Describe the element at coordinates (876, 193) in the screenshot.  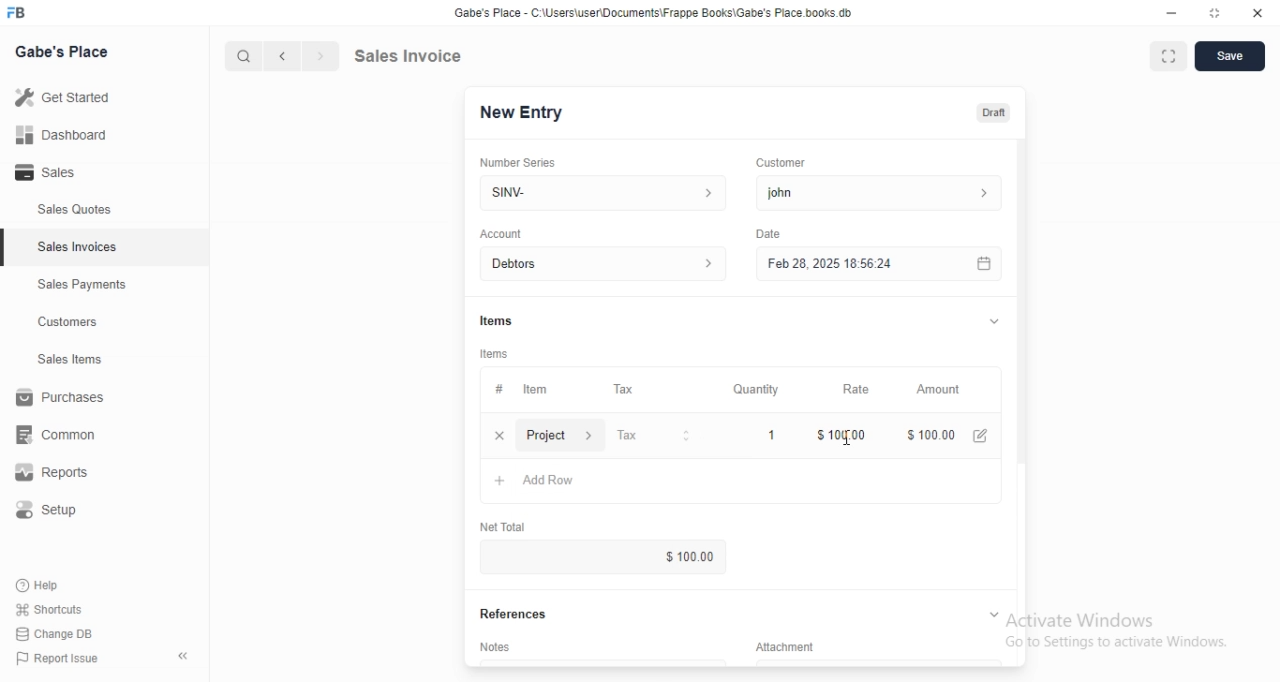
I see `john` at that location.